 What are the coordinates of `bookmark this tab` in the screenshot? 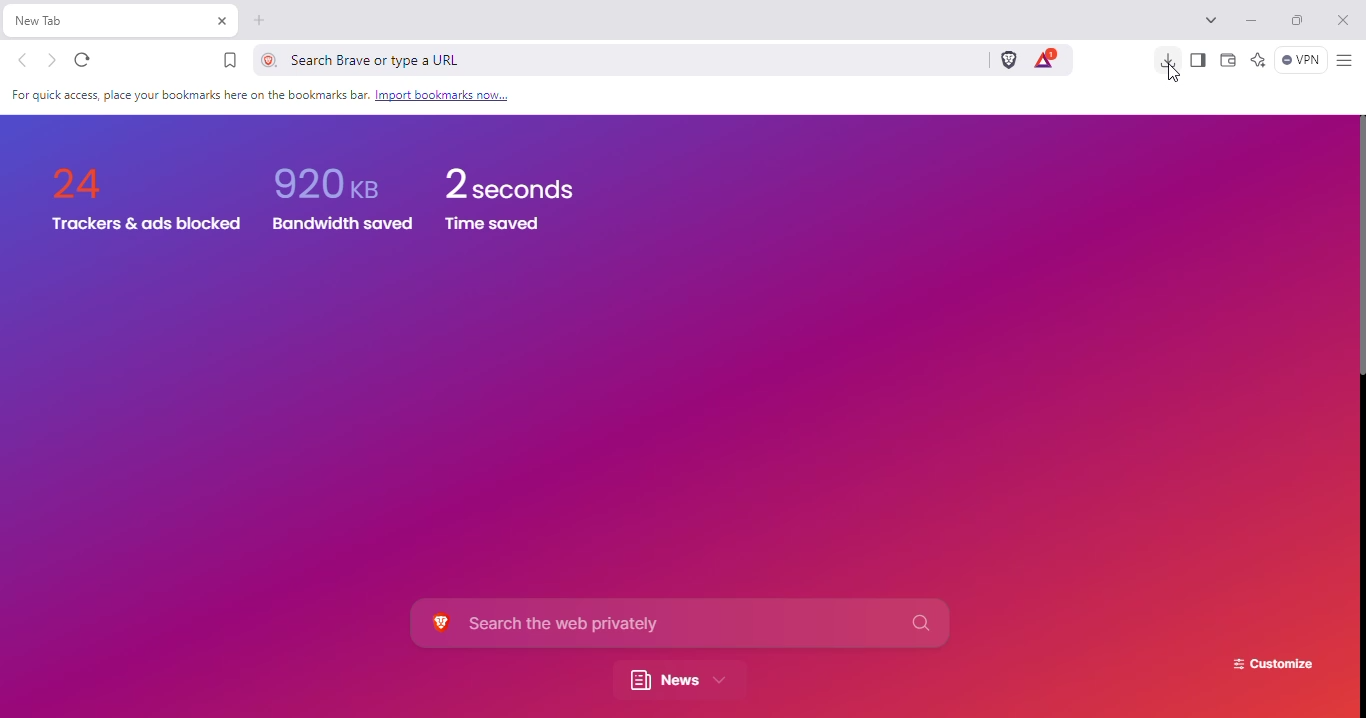 It's located at (231, 60).